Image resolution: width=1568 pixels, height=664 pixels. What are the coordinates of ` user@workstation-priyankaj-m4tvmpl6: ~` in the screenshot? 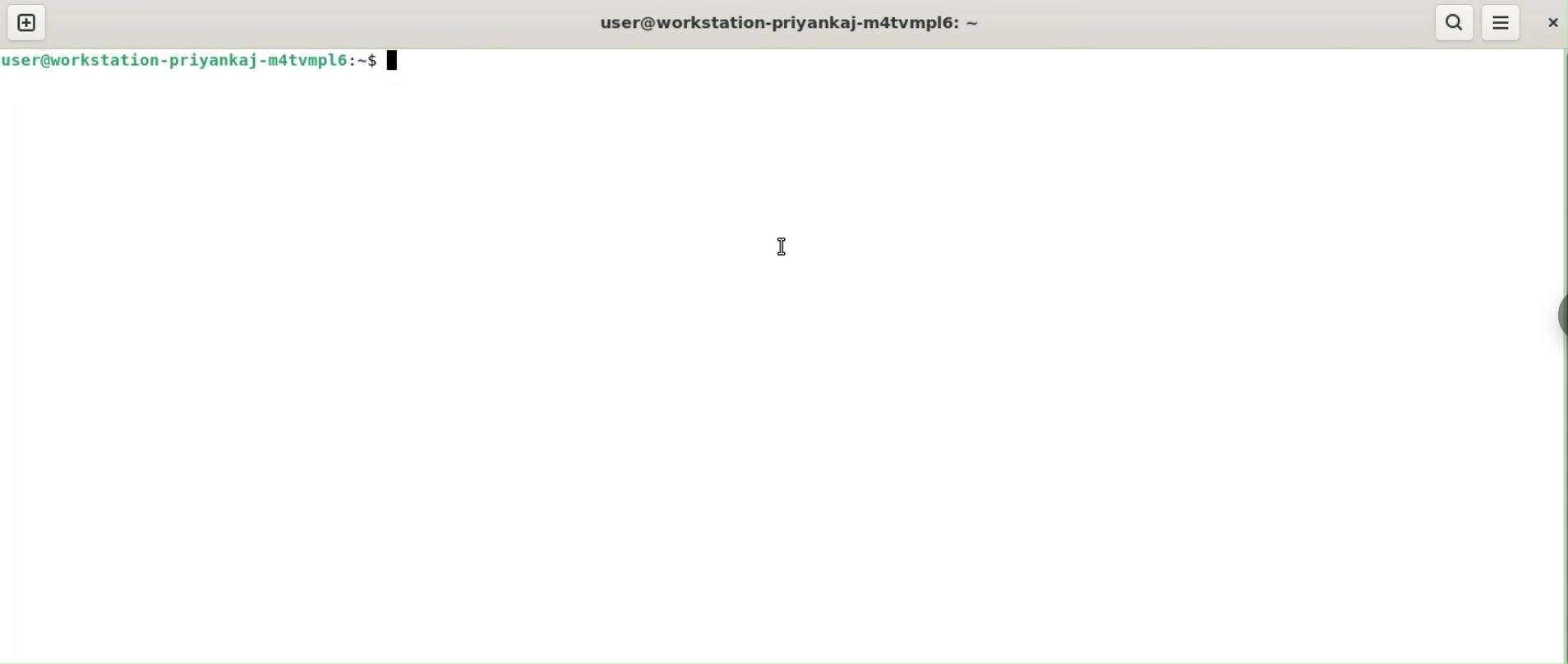 It's located at (795, 21).